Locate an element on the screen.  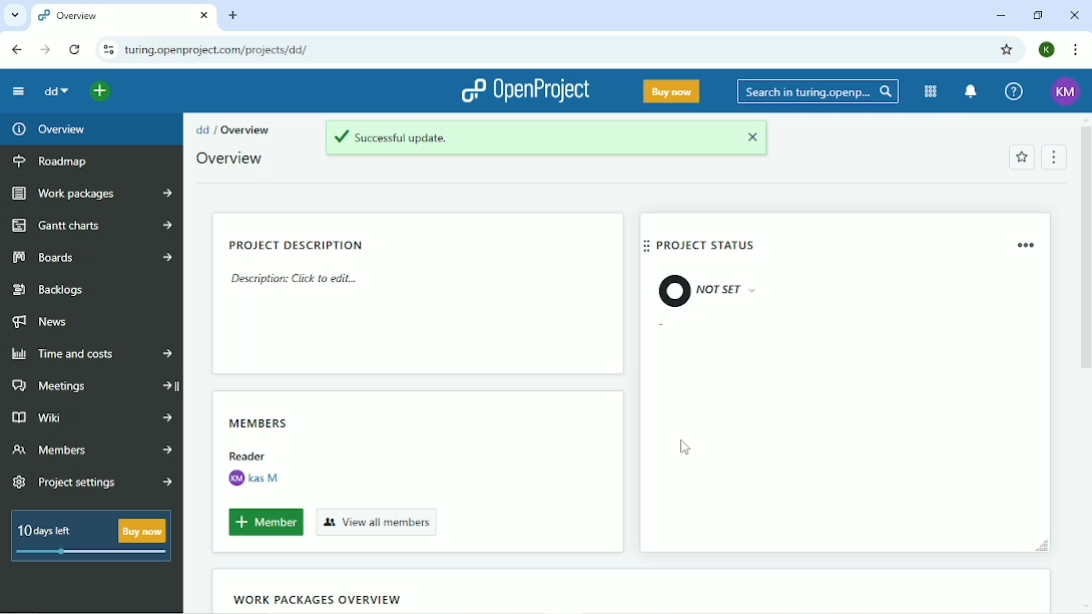
Work packages is located at coordinates (93, 194).